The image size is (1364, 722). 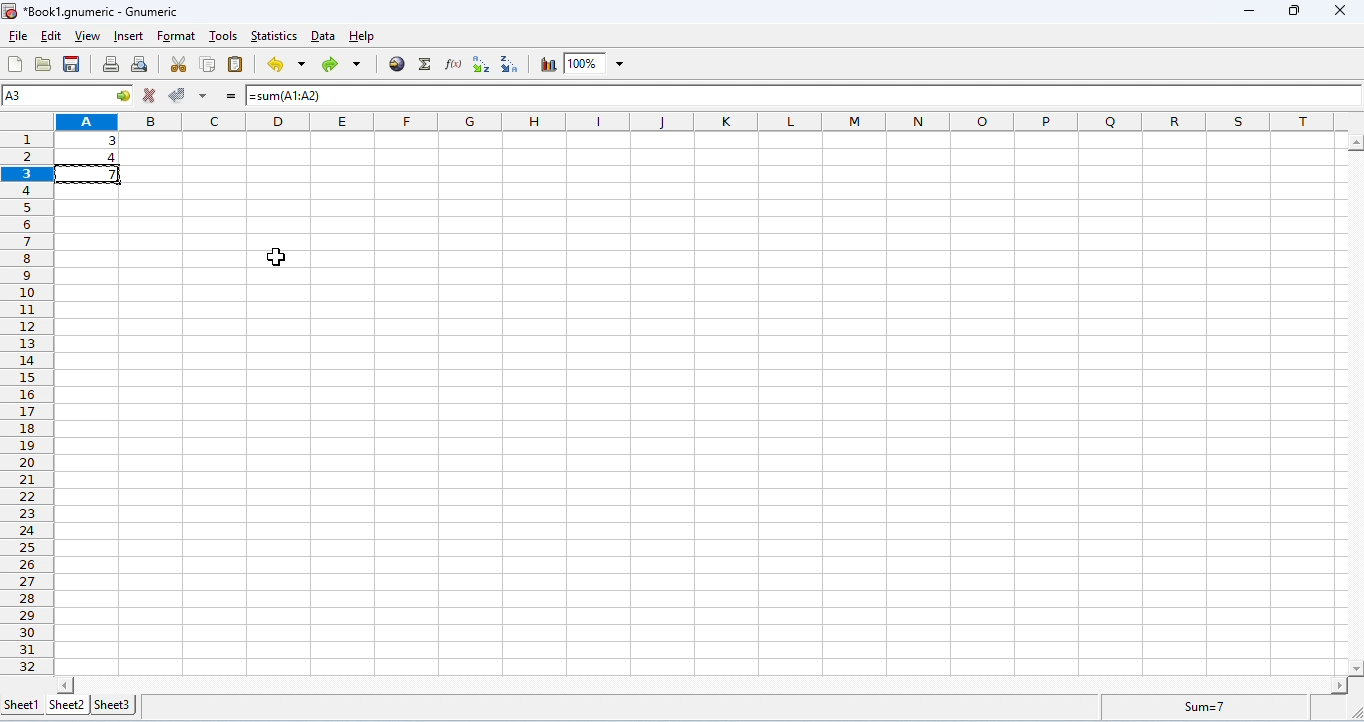 What do you see at coordinates (112, 65) in the screenshot?
I see `print` at bounding box center [112, 65].